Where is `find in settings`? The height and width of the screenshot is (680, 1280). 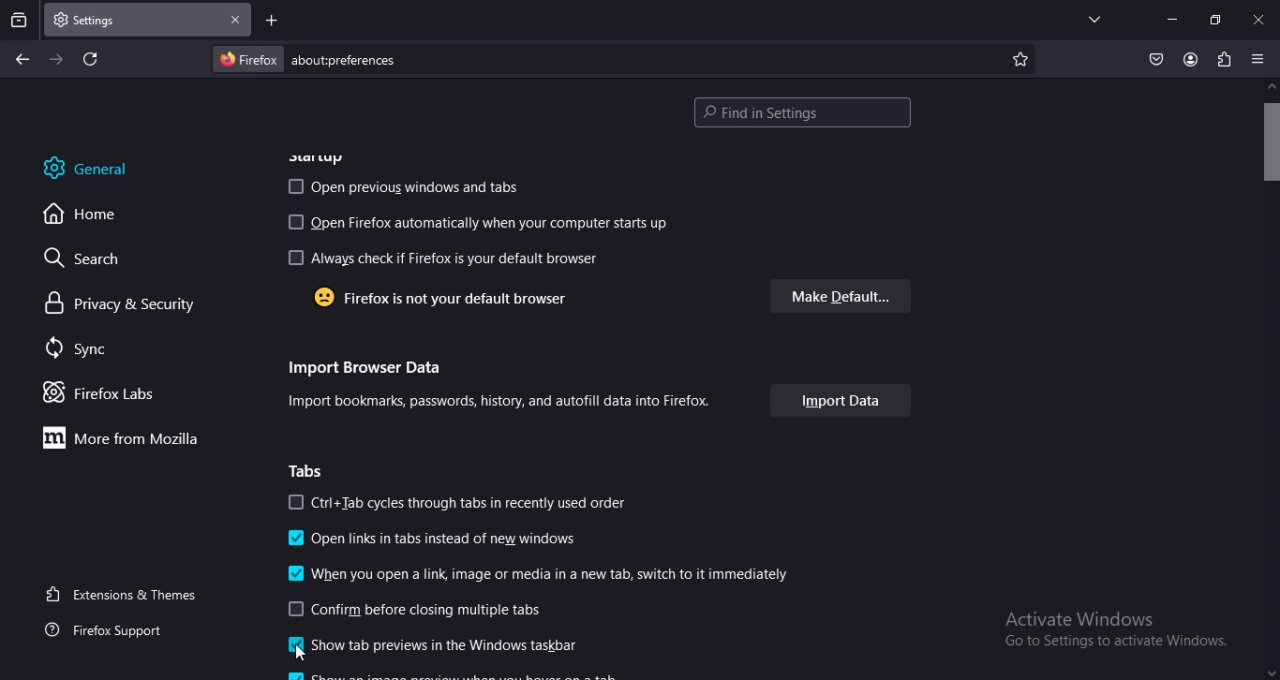
find in settings is located at coordinates (798, 112).